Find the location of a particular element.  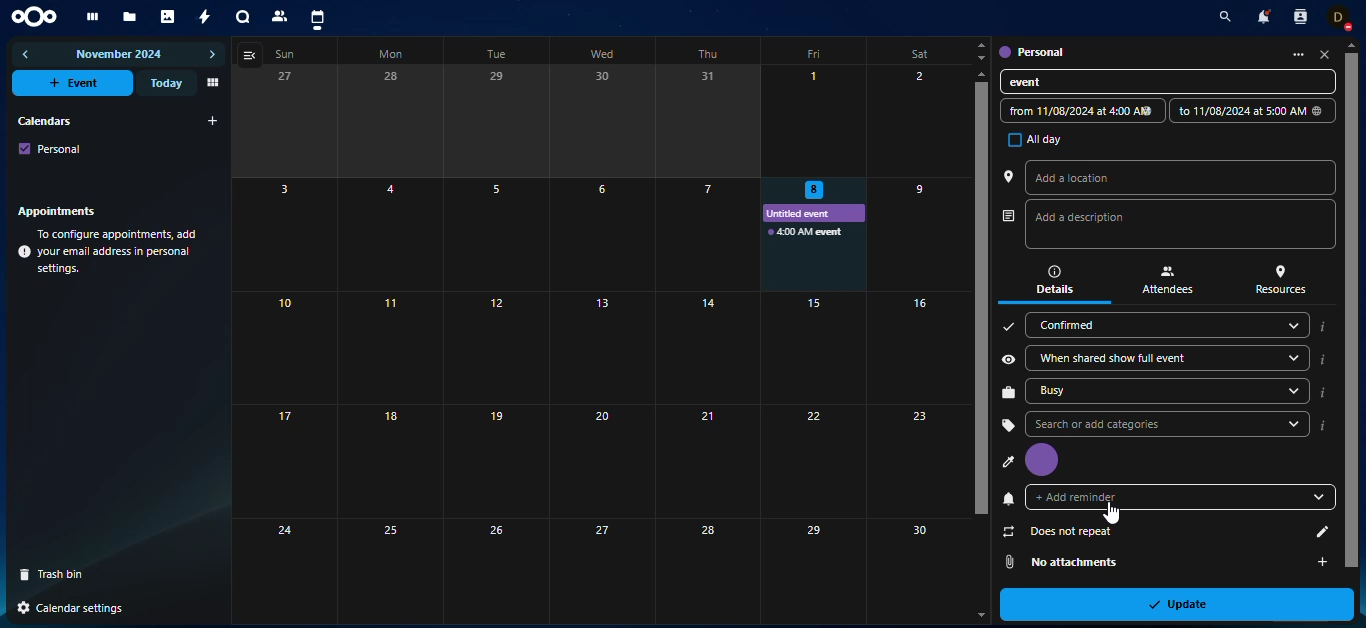

drop down is located at coordinates (1291, 357).